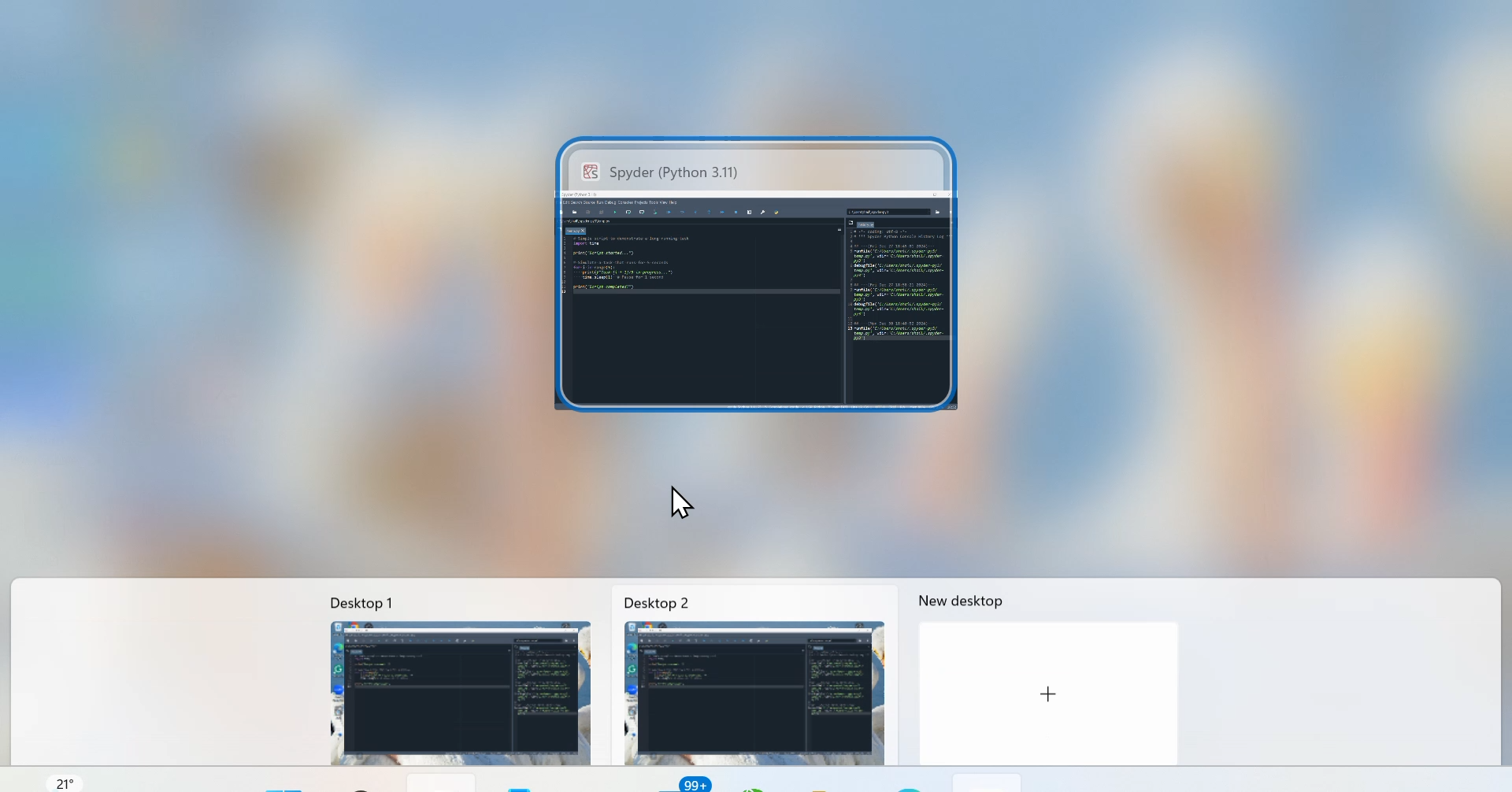 The image size is (1512, 792). What do you see at coordinates (735, 601) in the screenshot?
I see `Desktop 2` at bounding box center [735, 601].